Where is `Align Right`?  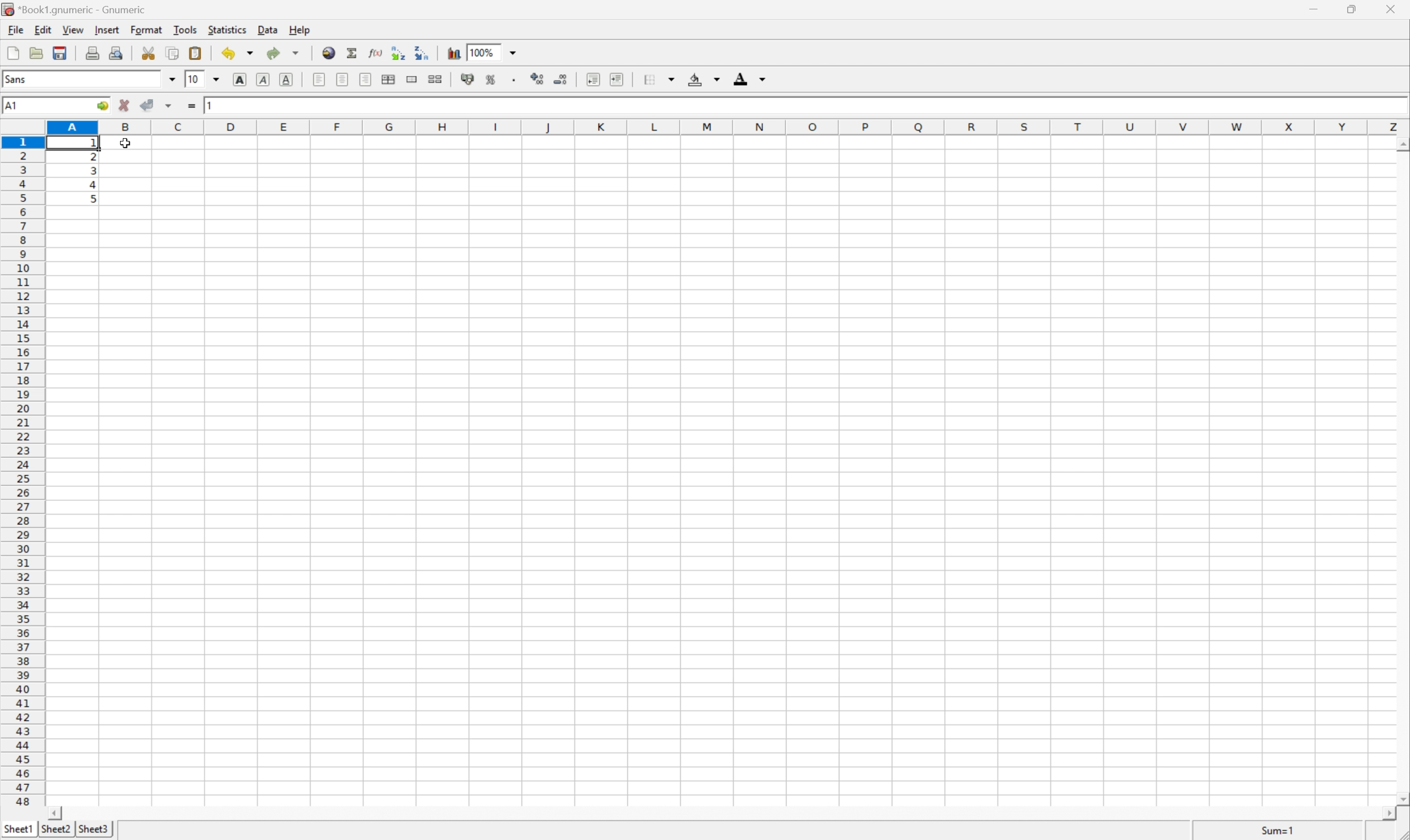
Align Right is located at coordinates (366, 79).